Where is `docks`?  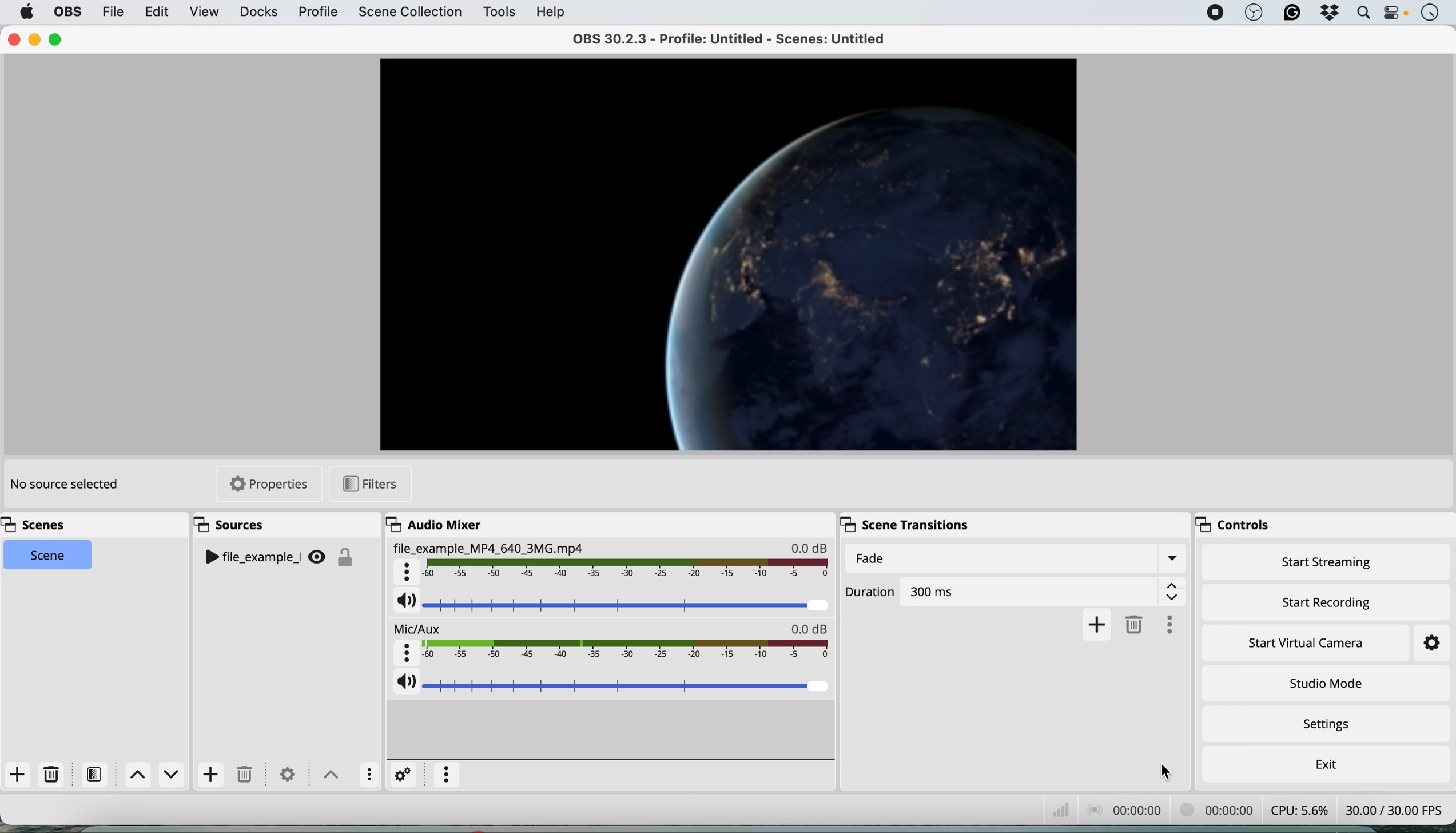
docks is located at coordinates (258, 12).